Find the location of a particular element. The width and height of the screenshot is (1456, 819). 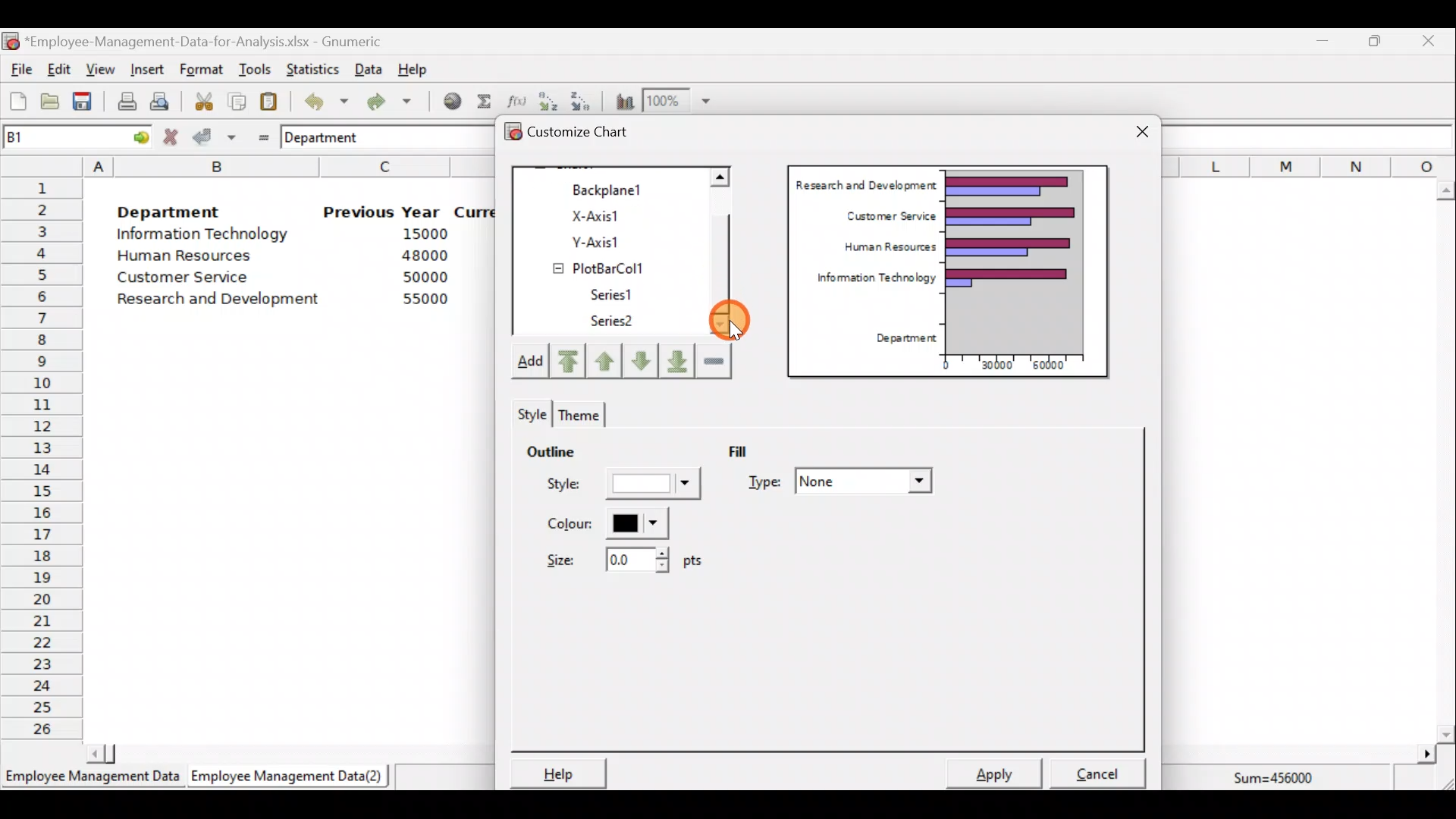

Cancel change is located at coordinates (173, 136).